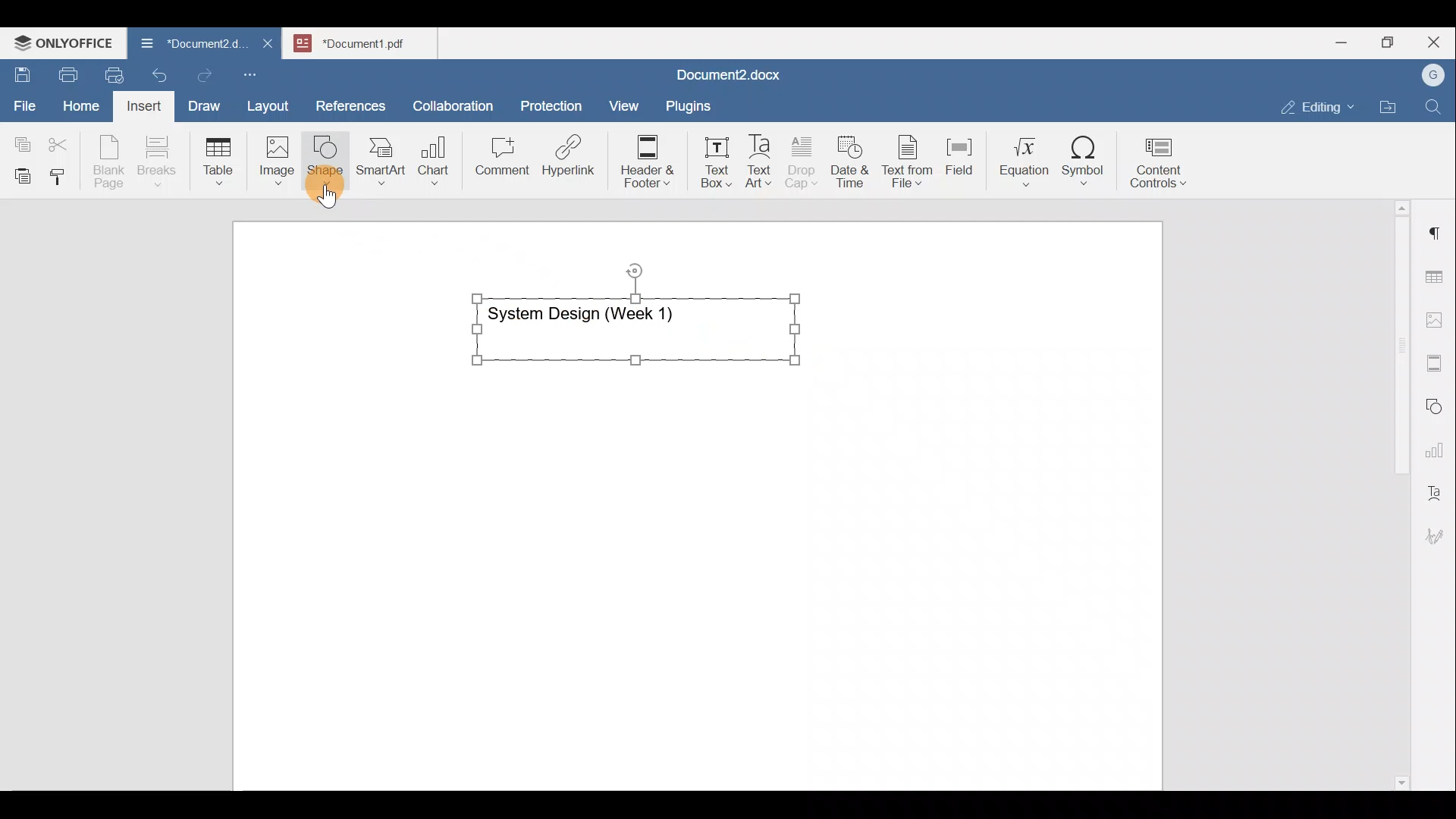 Image resolution: width=1456 pixels, height=819 pixels. What do you see at coordinates (350, 104) in the screenshot?
I see `References` at bounding box center [350, 104].